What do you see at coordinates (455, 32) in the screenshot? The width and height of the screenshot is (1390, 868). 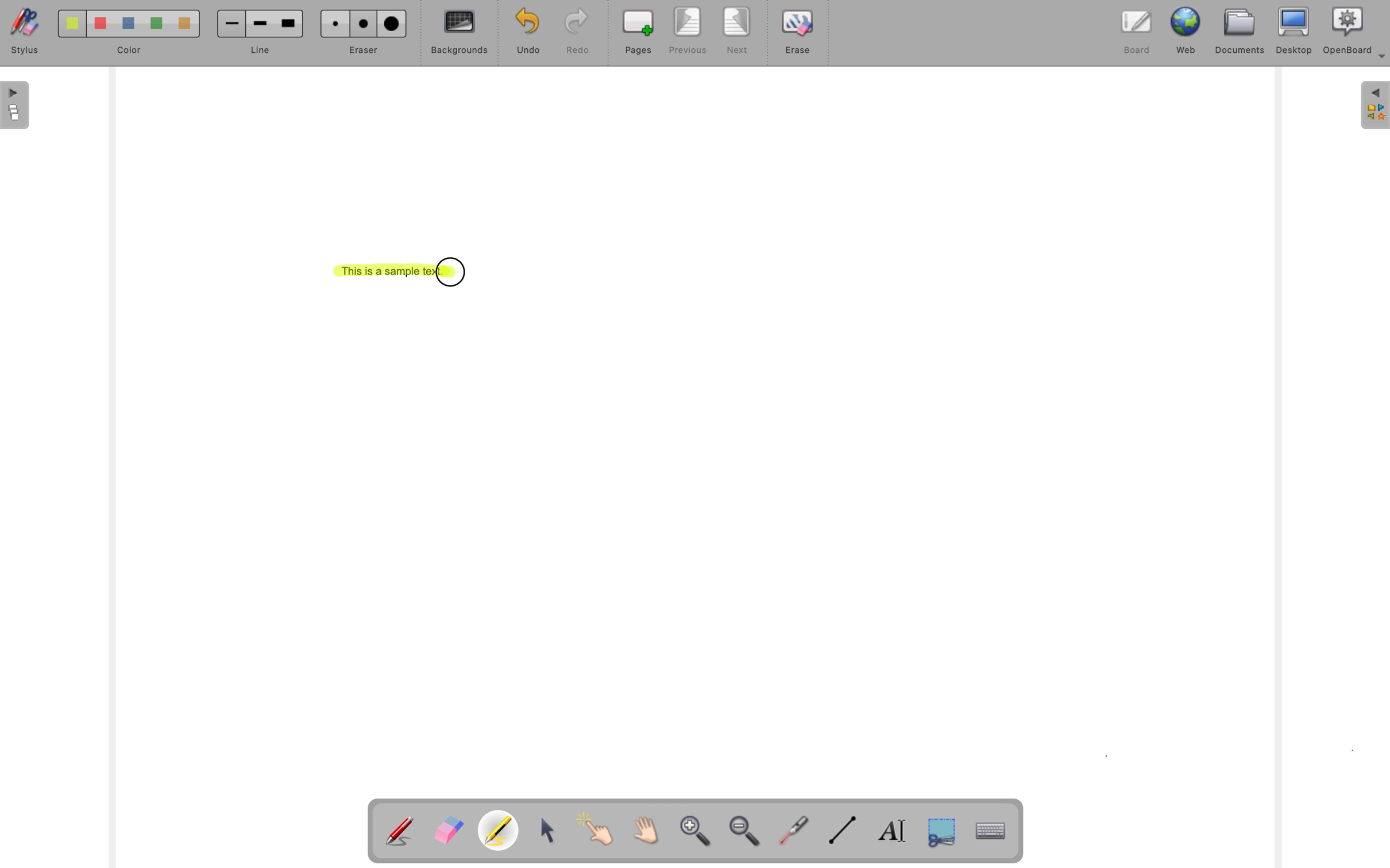 I see `backgrounds` at bounding box center [455, 32].